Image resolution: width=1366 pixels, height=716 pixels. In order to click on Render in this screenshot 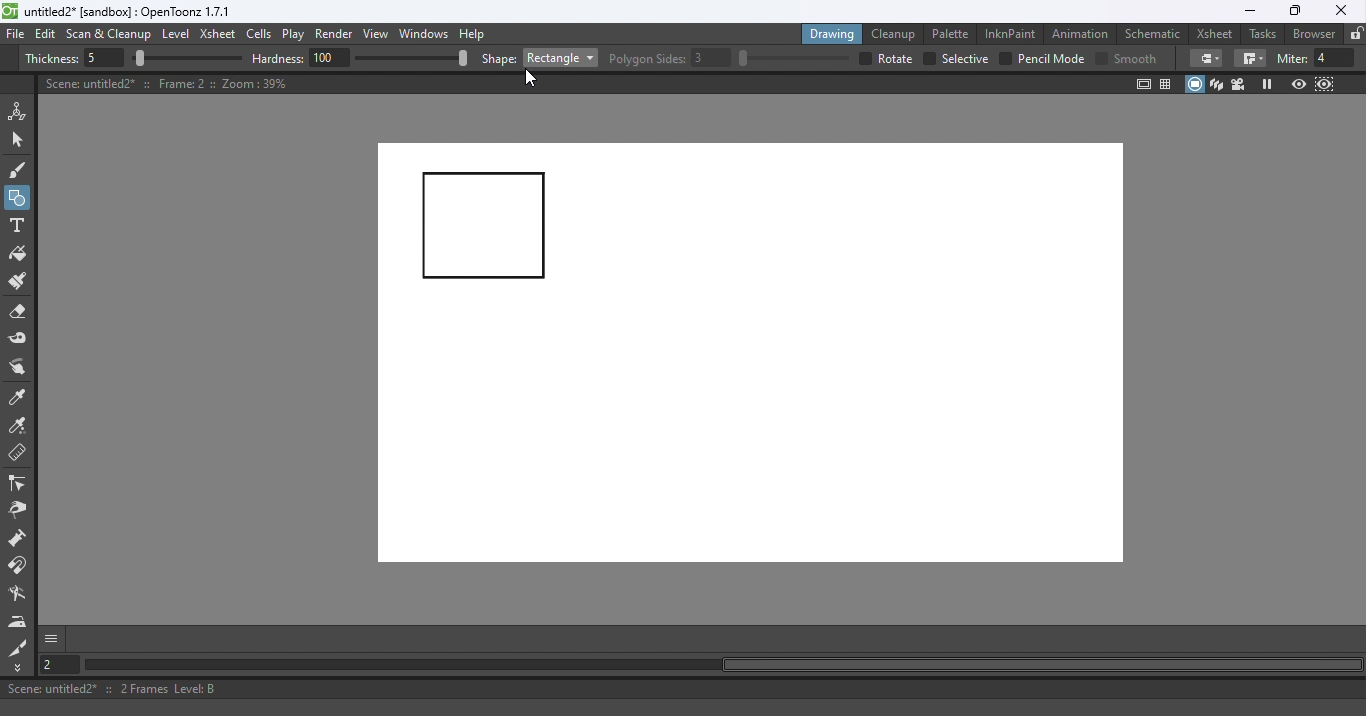, I will do `click(337, 35)`.